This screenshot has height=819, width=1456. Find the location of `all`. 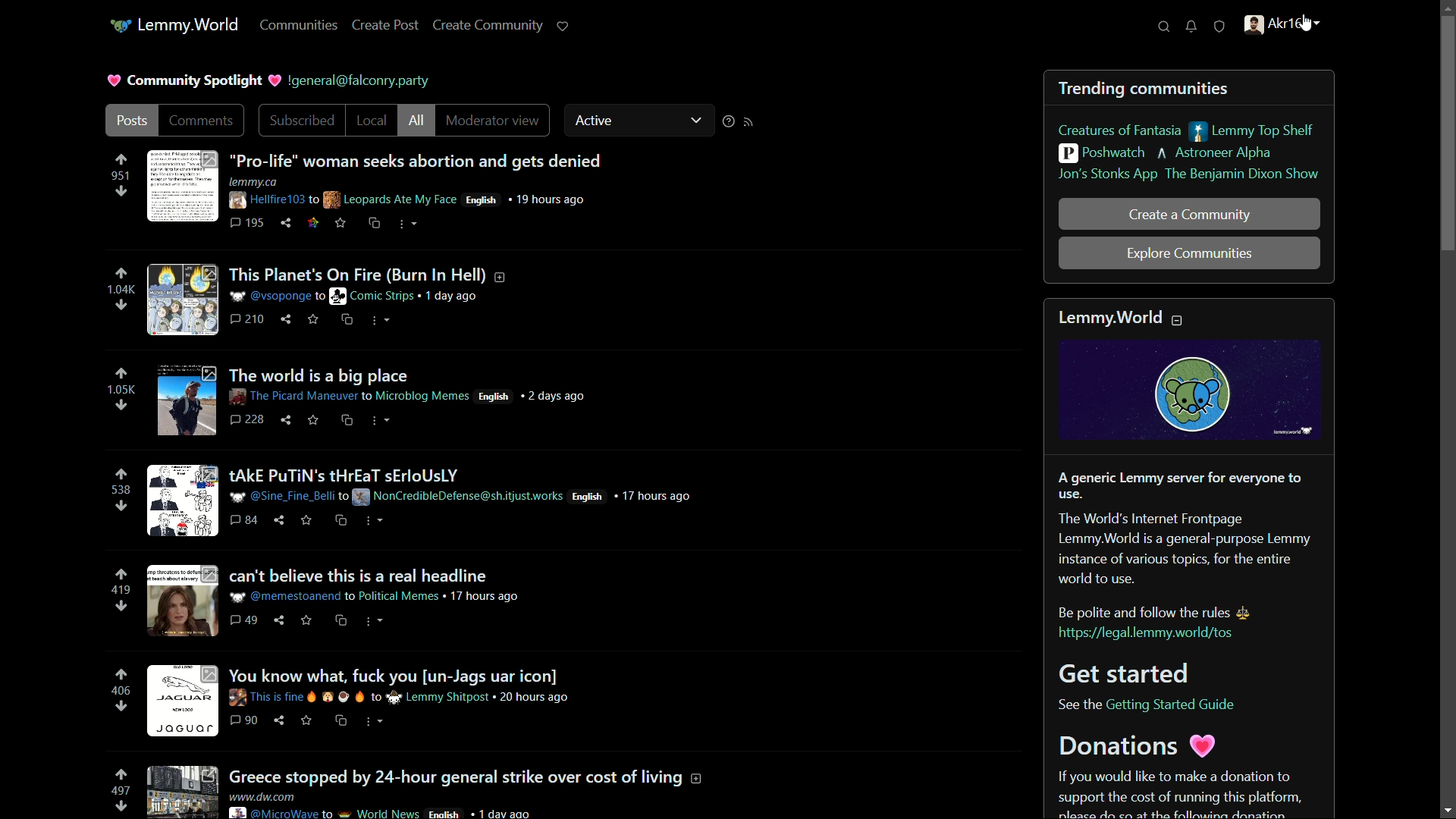

all is located at coordinates (416, 121).